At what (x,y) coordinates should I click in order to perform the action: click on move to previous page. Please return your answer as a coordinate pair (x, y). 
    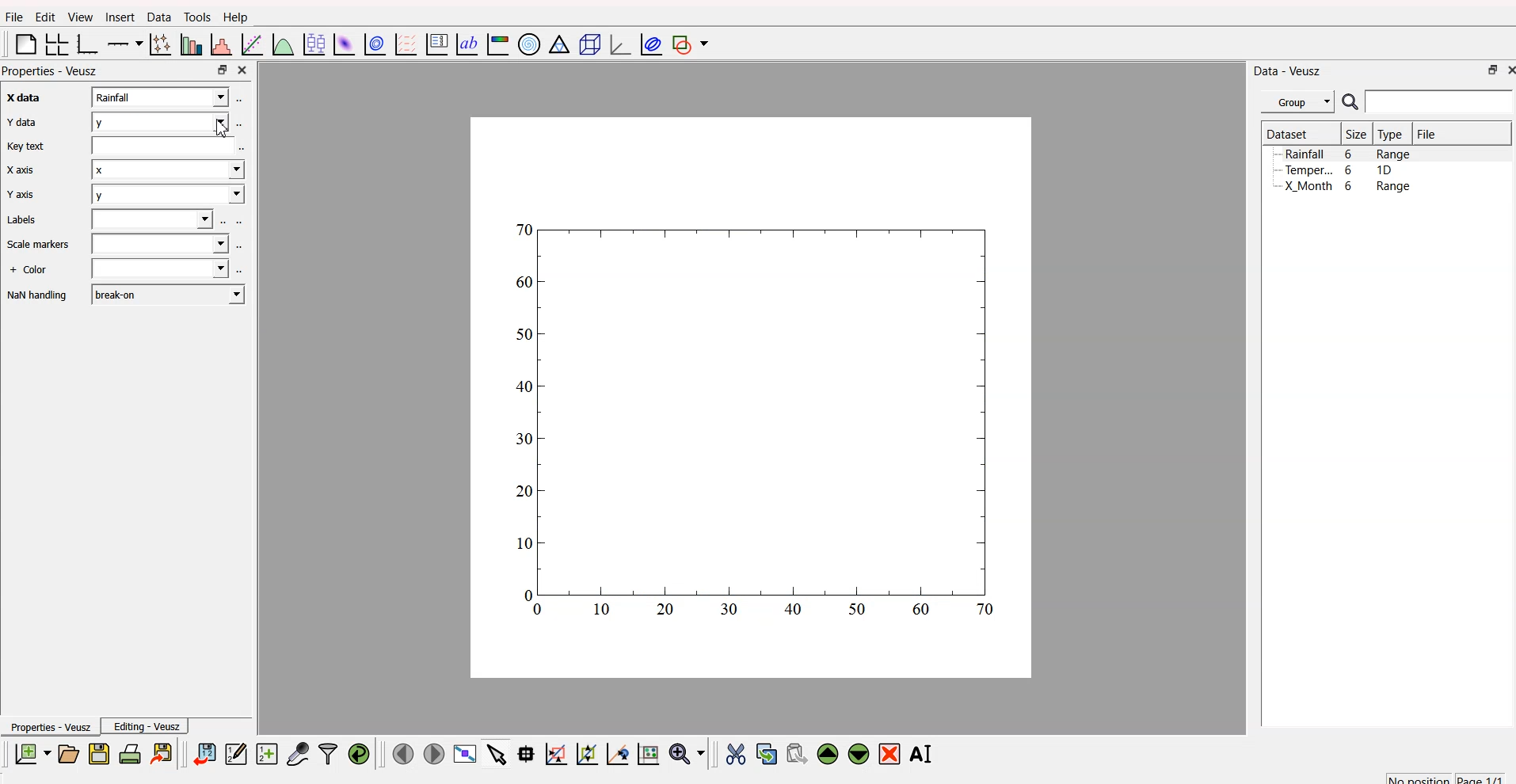
    Looking at the image, I should click on (403, 752).